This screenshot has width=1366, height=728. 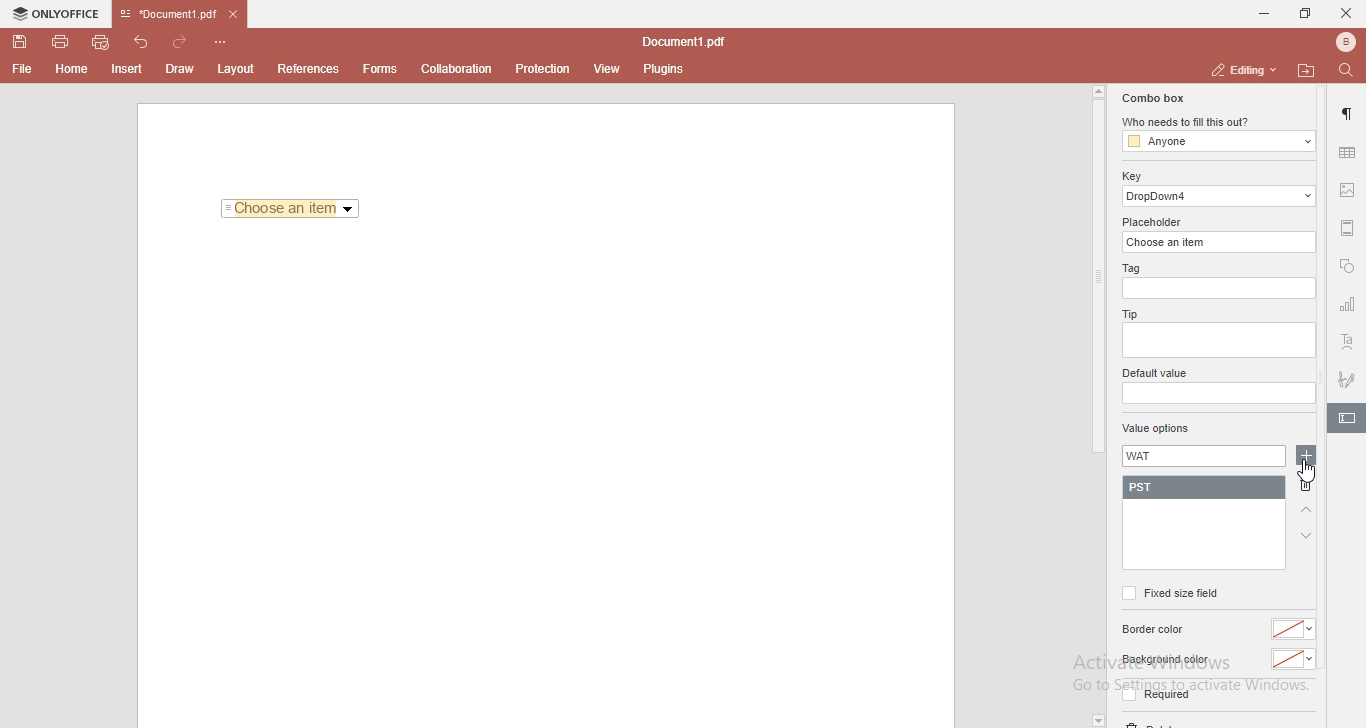 I want to click on background color, so click(x=1164, y=660).